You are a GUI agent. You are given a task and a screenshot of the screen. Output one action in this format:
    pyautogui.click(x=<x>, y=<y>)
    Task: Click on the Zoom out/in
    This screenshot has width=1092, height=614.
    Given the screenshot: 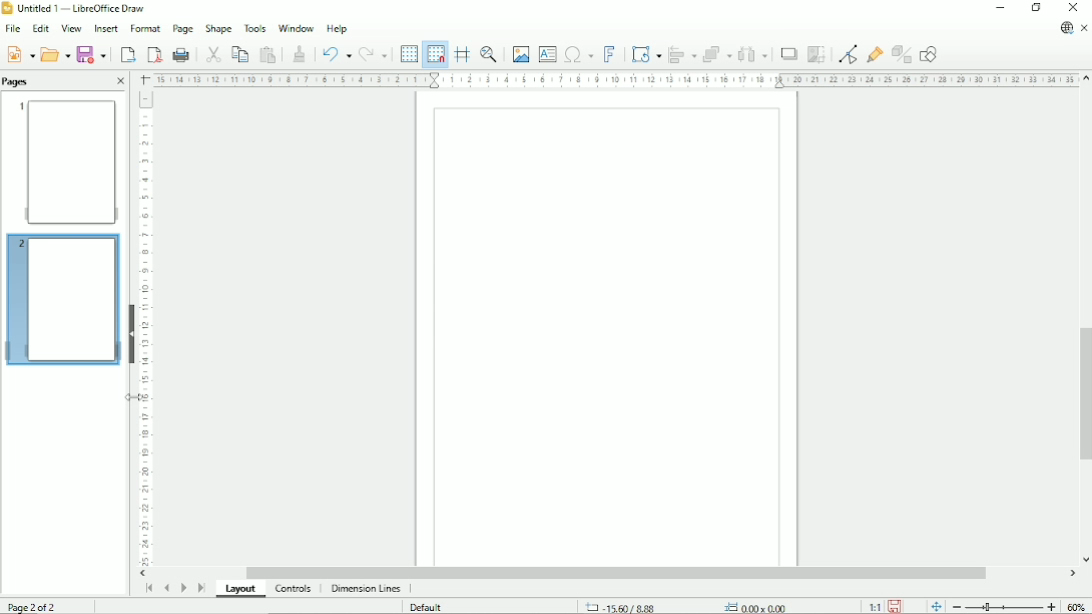 What is the action you would take?
    pyautogui.click(x=1004, y=606)
    